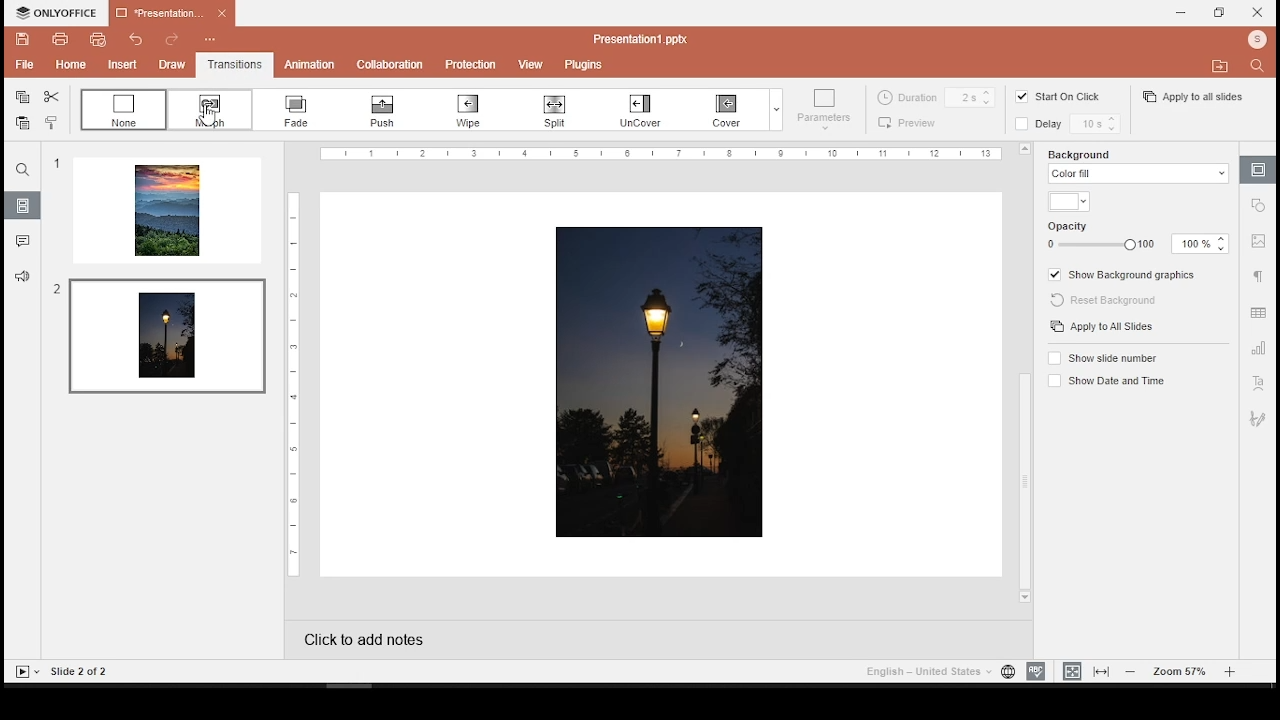 The width and height of the screenshot is (1280, 720). I want to click on find, so click(23, 170).